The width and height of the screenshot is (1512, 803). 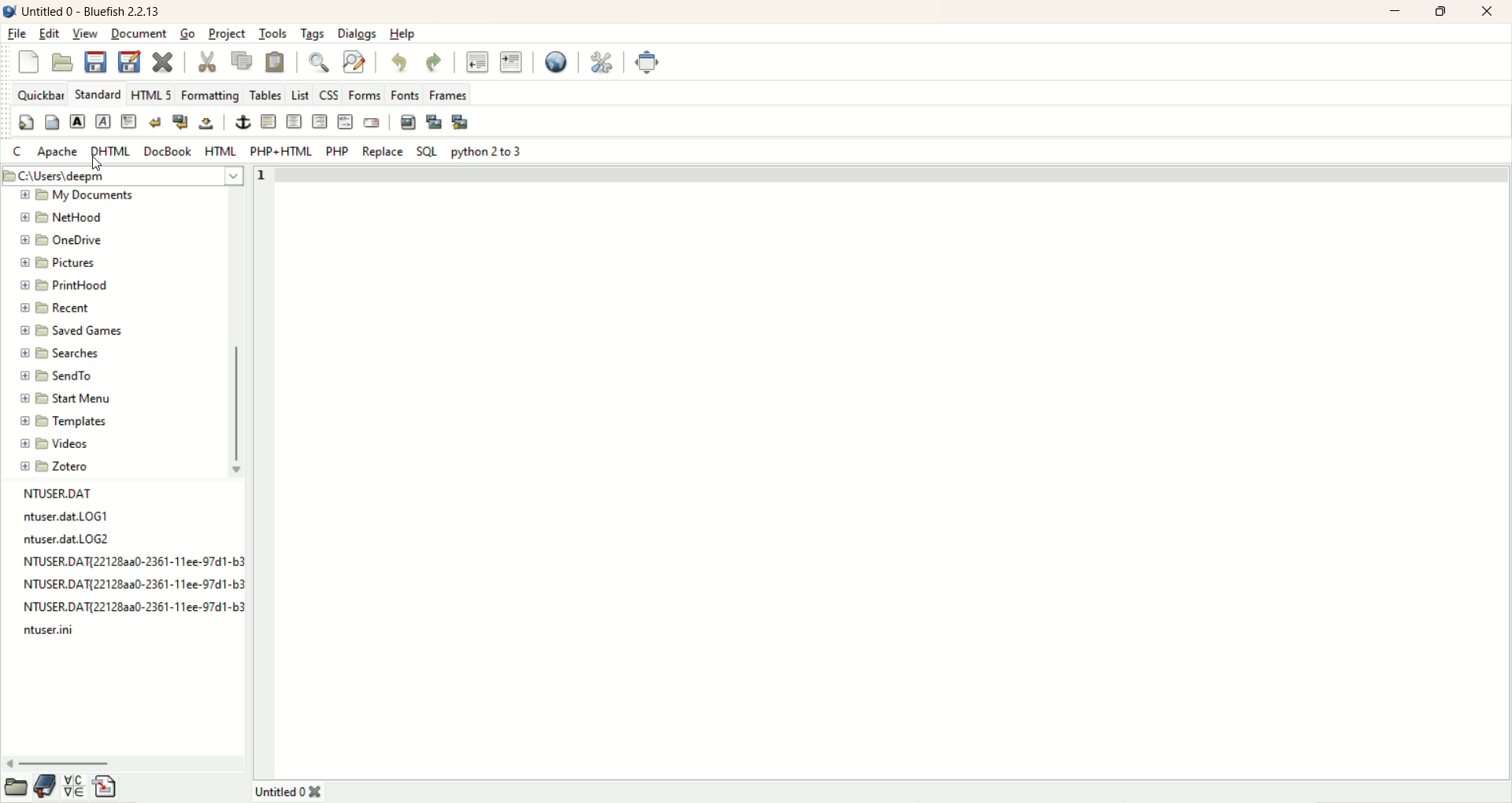 I want to click on close, so click(x=1488, y=11).